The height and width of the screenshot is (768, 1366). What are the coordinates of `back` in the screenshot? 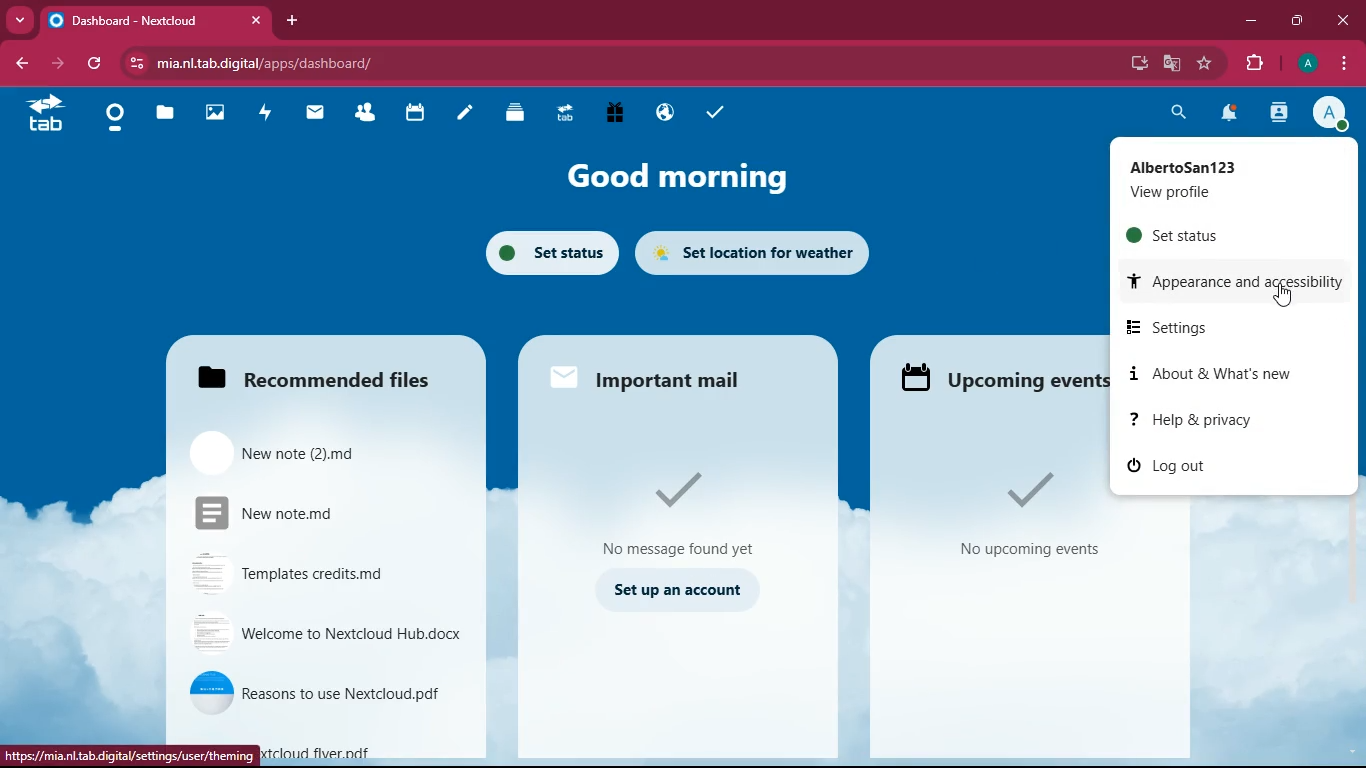 It's located at (24, 64).